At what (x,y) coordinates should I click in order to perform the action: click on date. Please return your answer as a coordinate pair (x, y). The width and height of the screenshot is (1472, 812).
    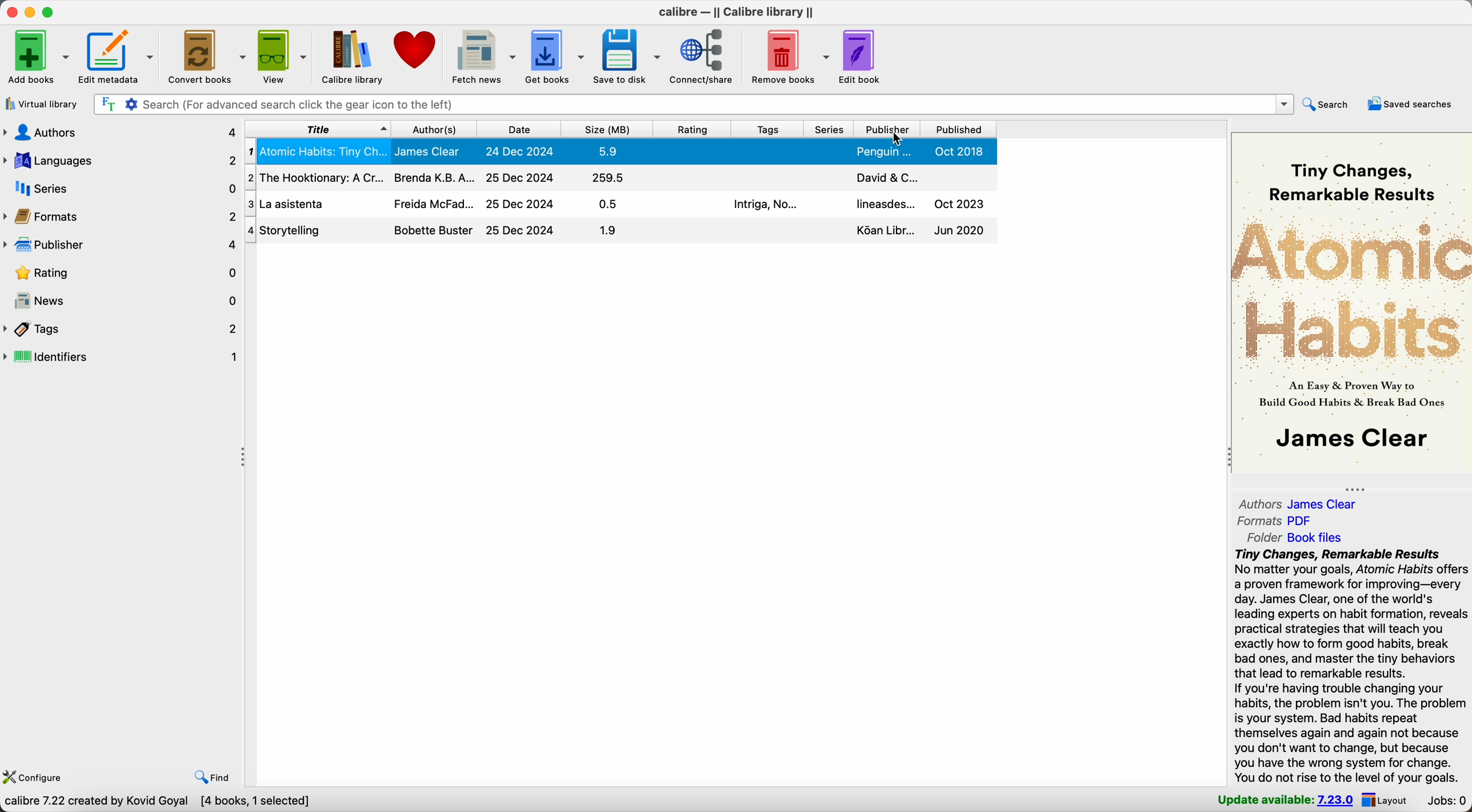
    Looking at the image, I should click on (520, 129).